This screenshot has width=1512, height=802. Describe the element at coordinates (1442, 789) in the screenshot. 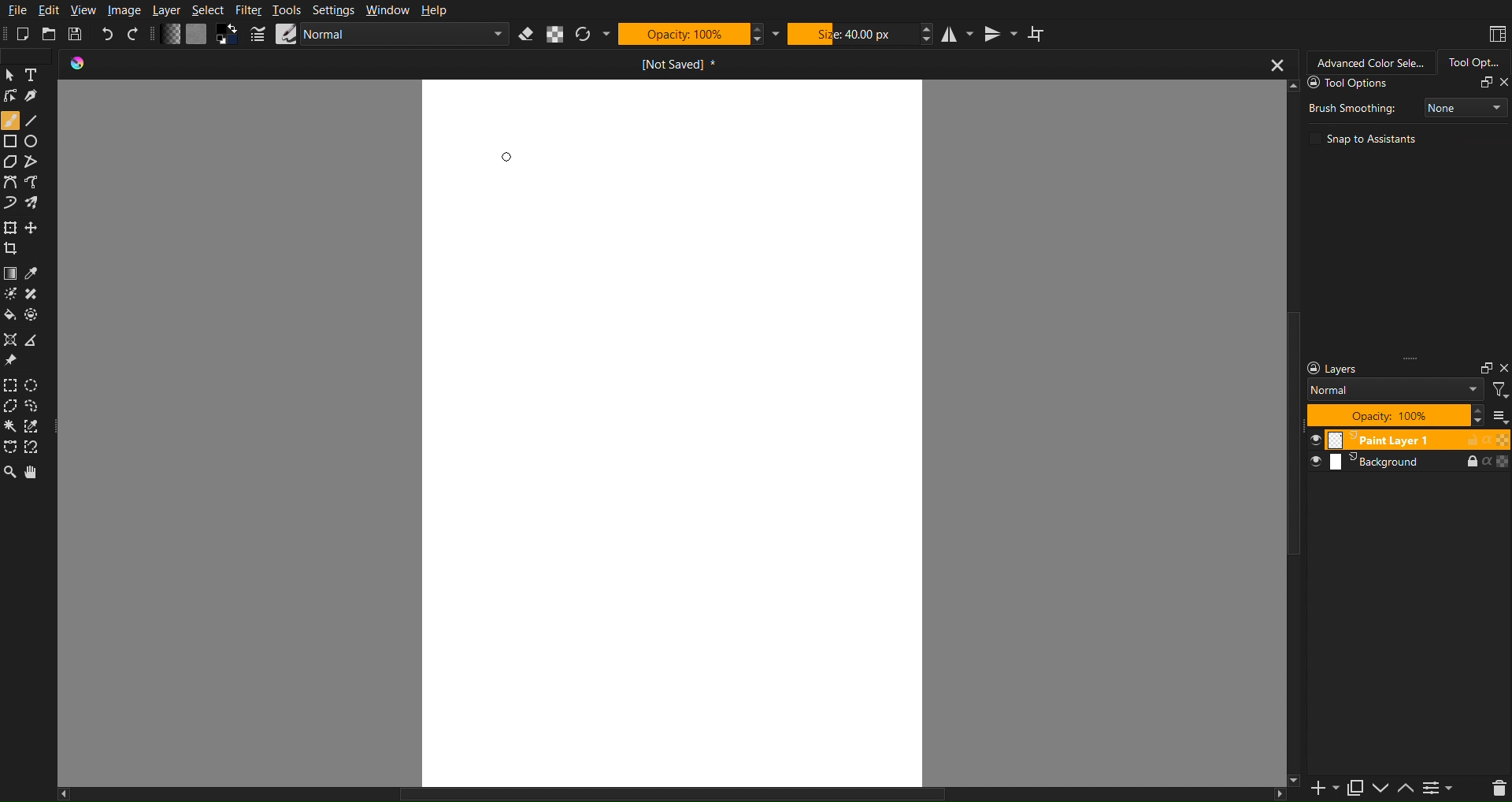

I see `Settings` at that location.